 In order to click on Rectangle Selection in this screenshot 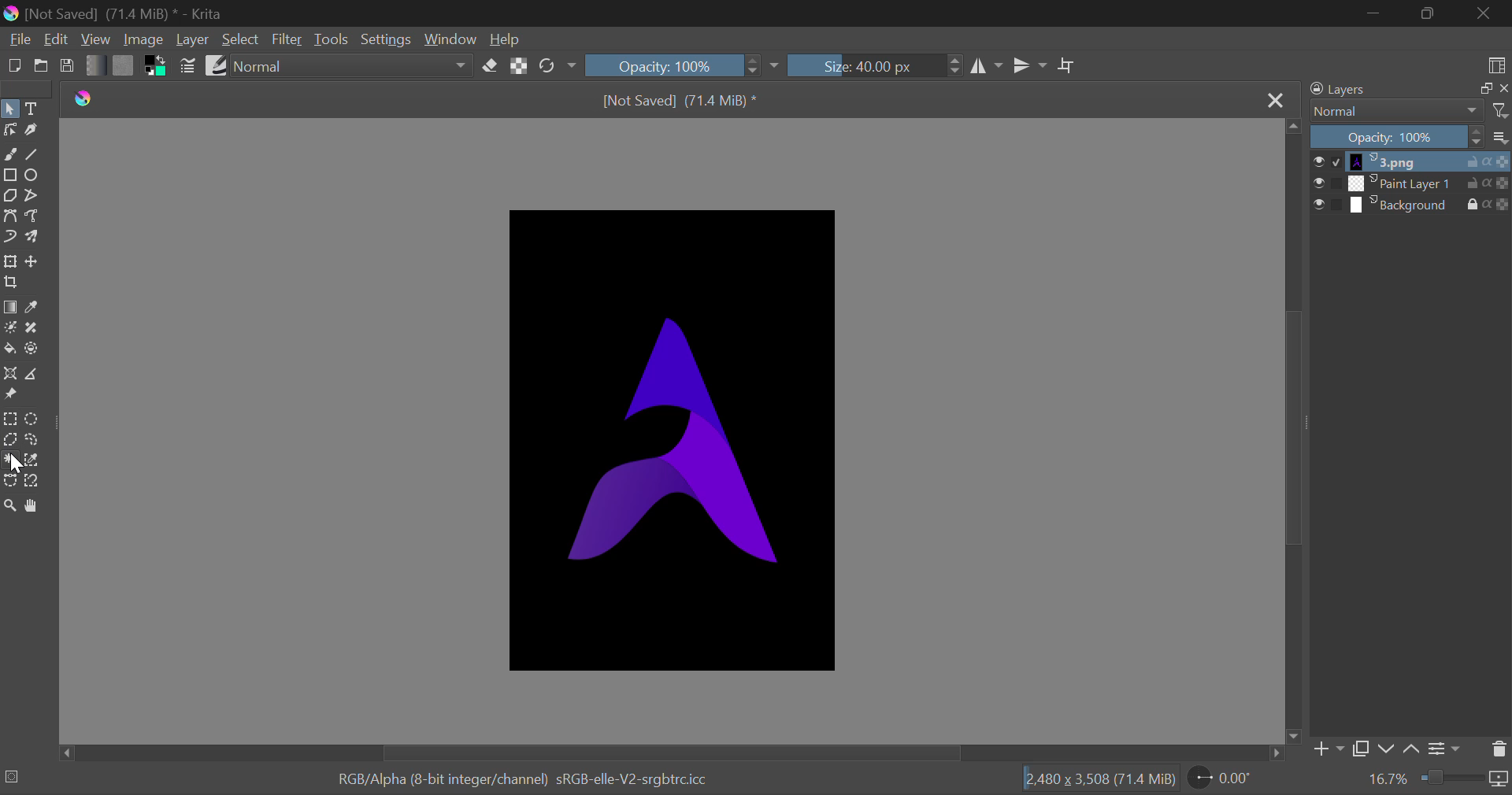, I will do `click(13, 420)`.